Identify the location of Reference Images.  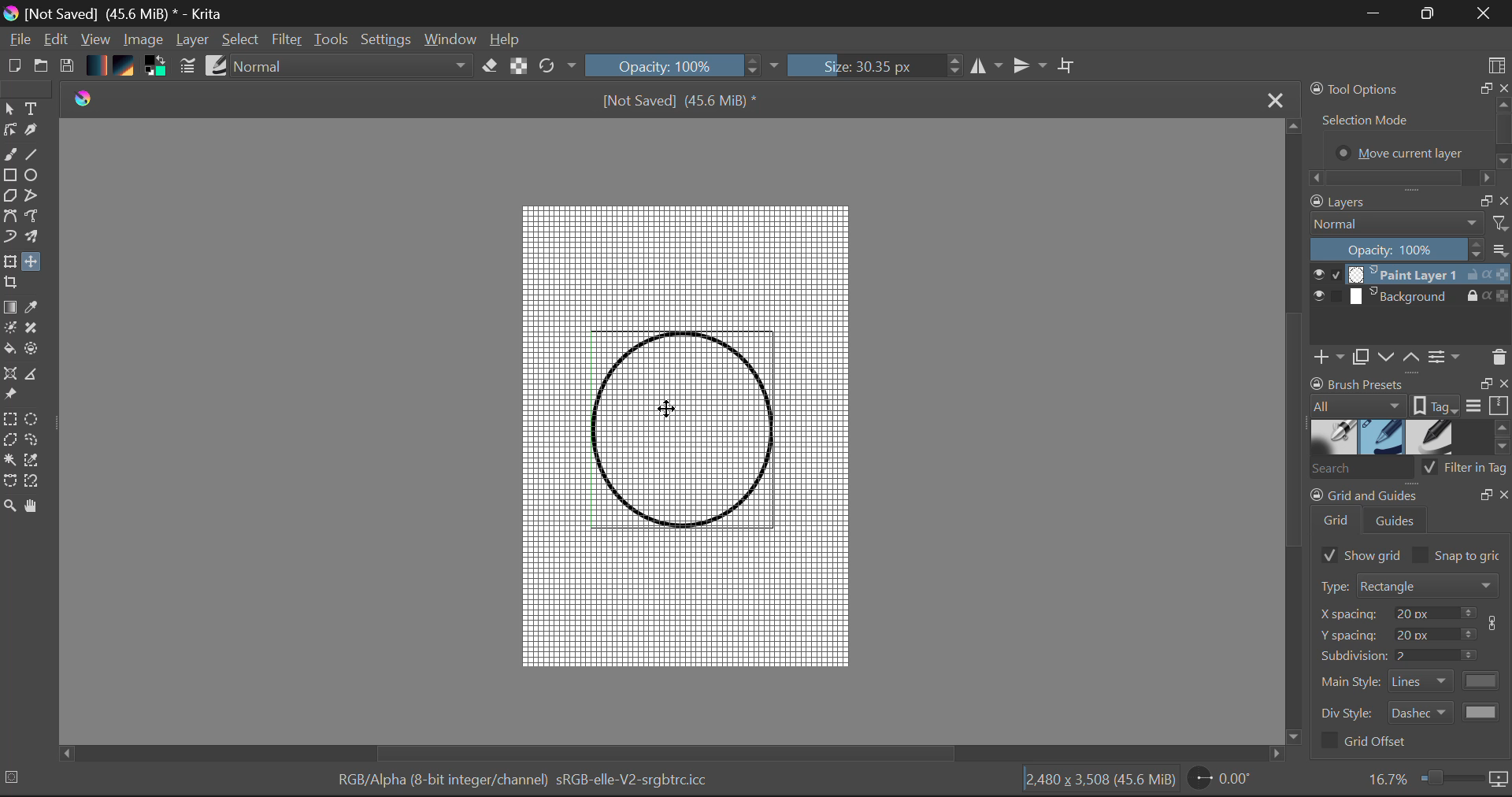
(10, 395).